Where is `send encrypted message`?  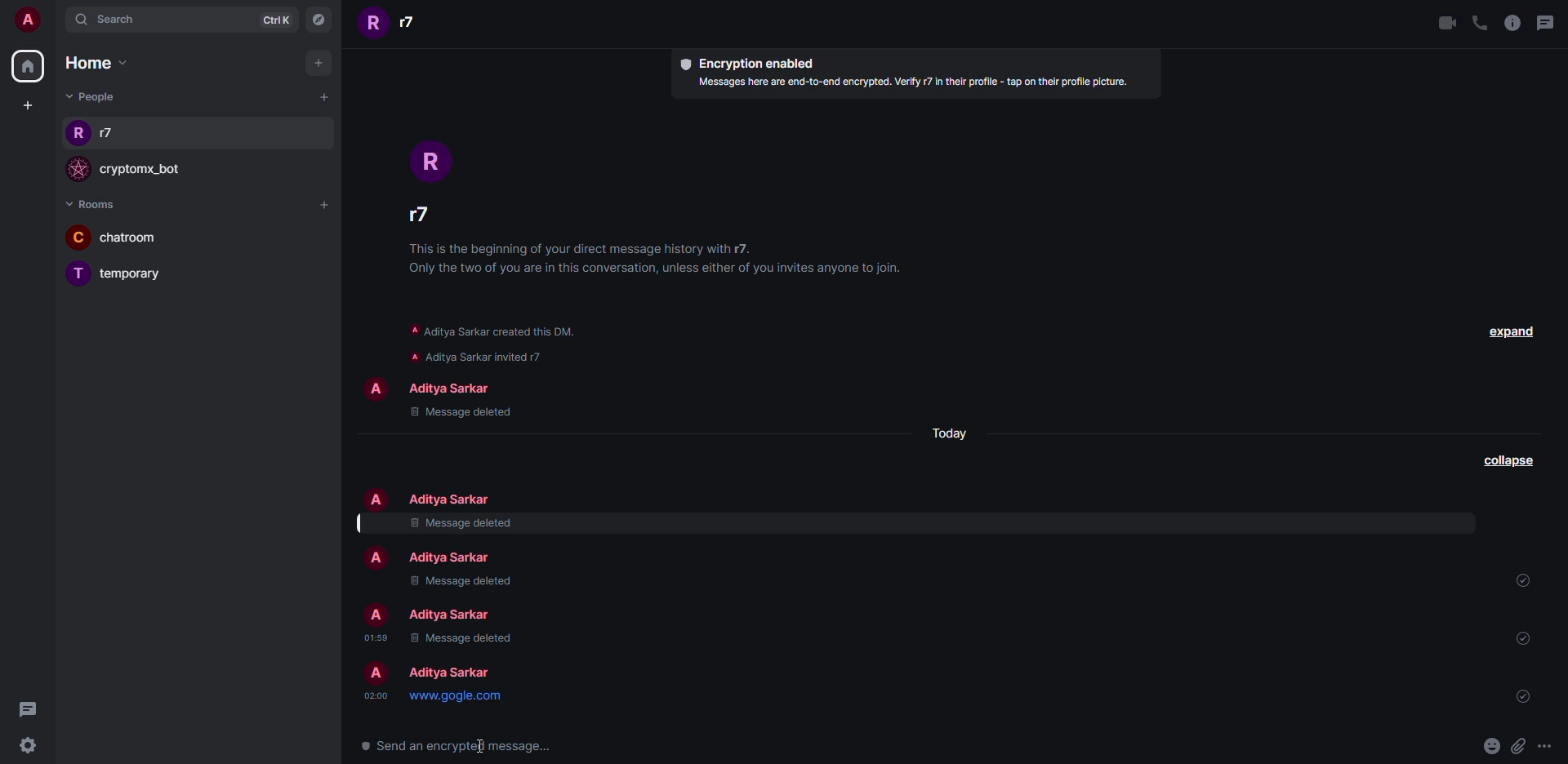 send encrypted message is located at coordinates (448, 745).